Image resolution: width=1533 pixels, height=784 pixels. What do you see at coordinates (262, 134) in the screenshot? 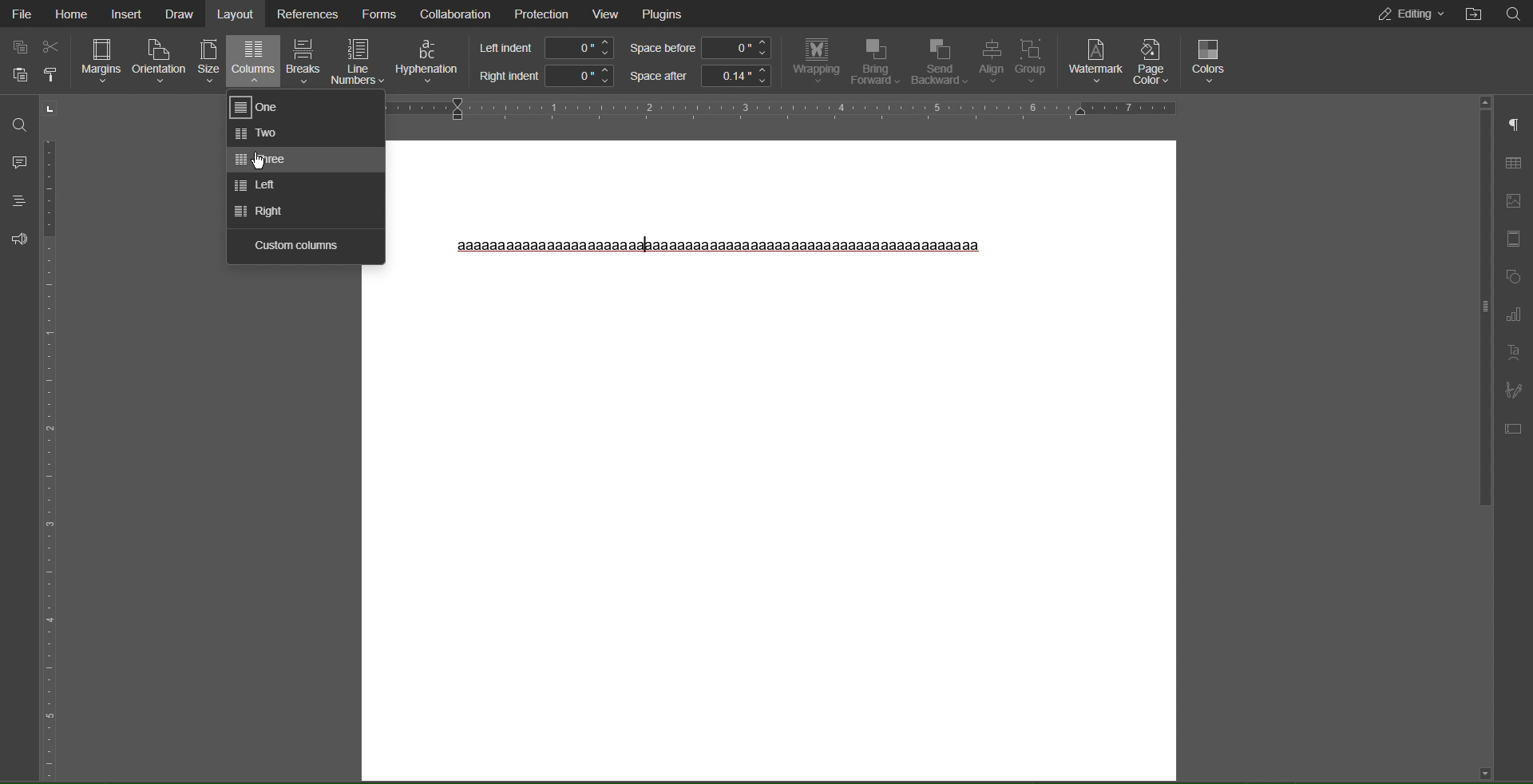
I see `Two` at bounding box center [262, 134].